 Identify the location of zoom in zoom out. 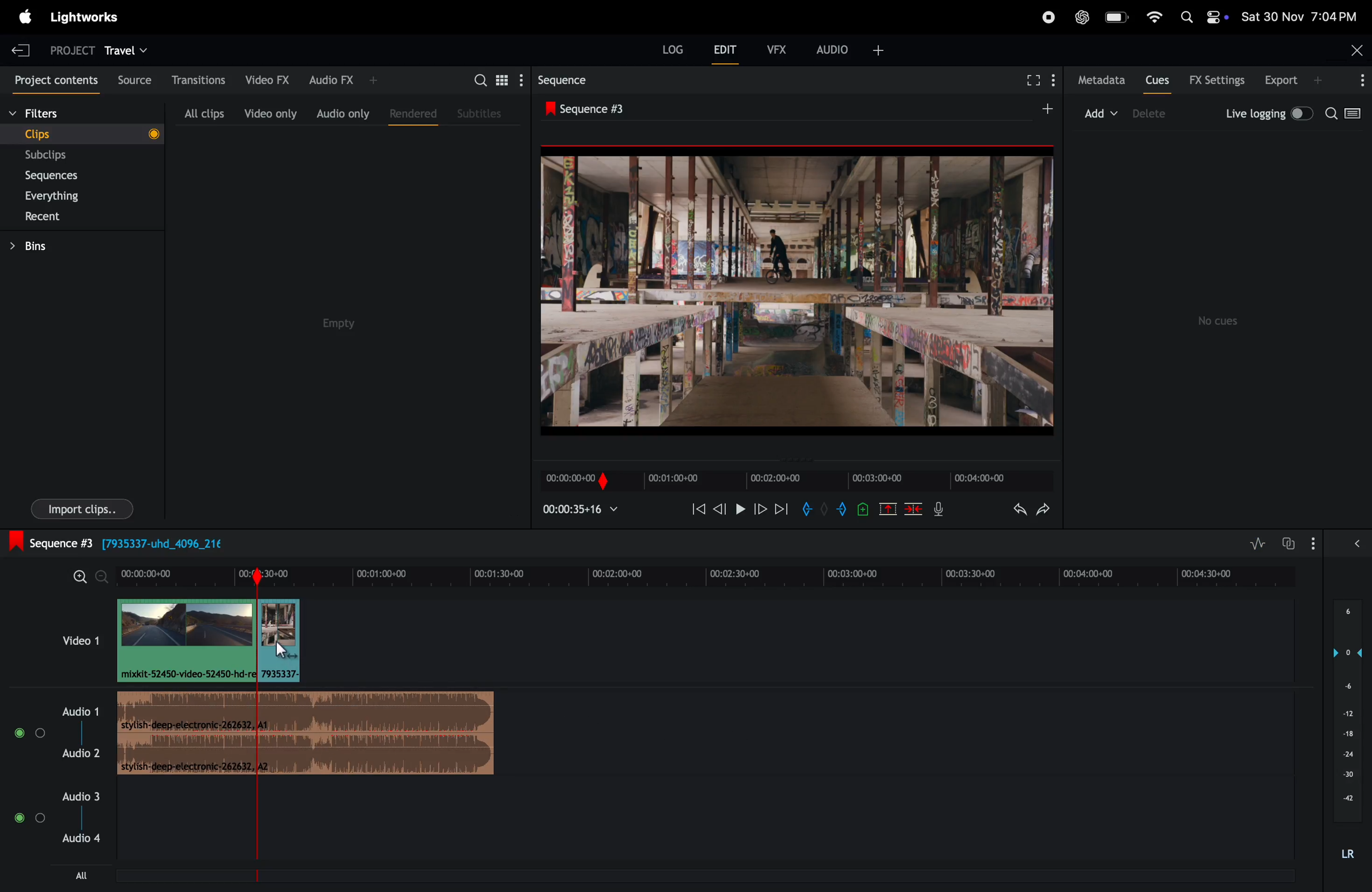
(85, 577).